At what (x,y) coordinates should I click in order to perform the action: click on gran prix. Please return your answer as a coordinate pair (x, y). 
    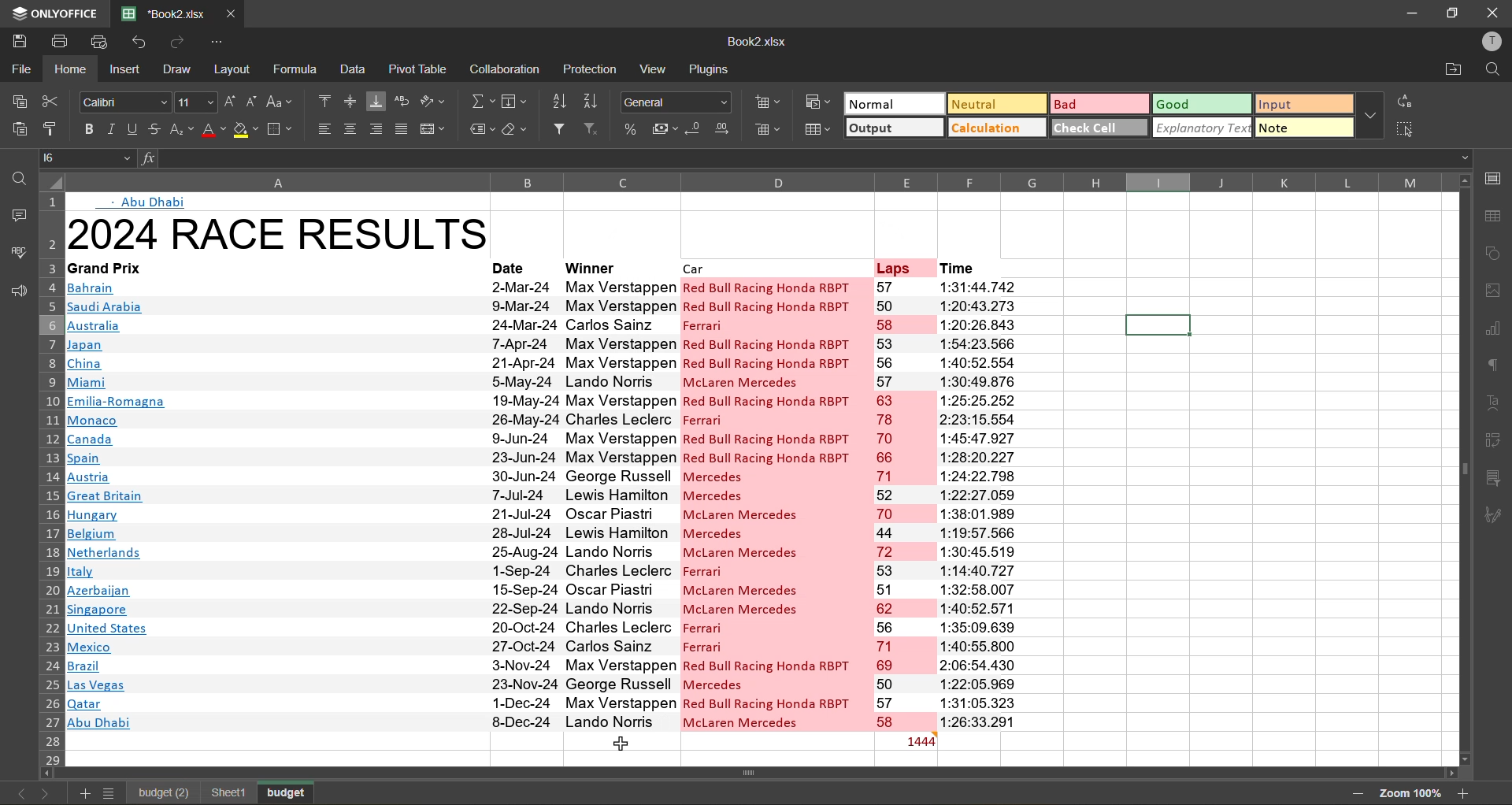
    Looking at the image, I should click on (275, 504).